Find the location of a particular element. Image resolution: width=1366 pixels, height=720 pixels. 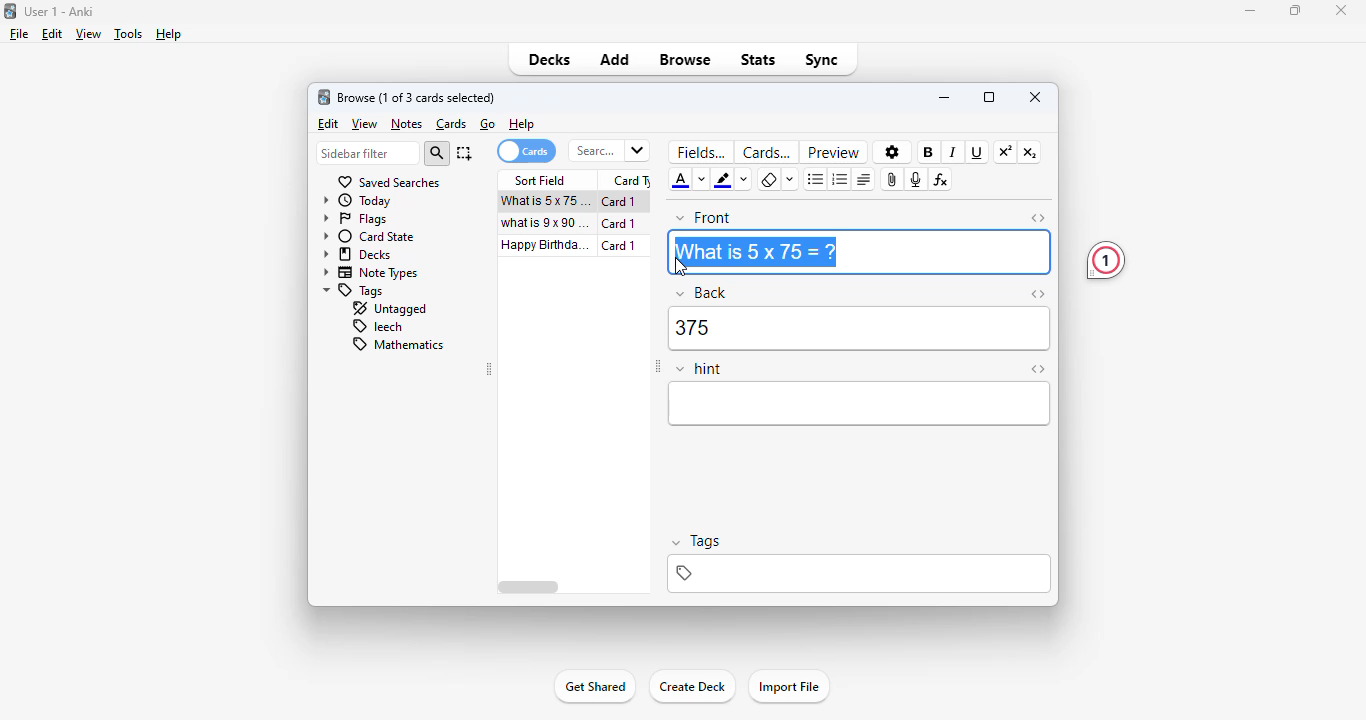

cards is located at coordinates (451, 125).